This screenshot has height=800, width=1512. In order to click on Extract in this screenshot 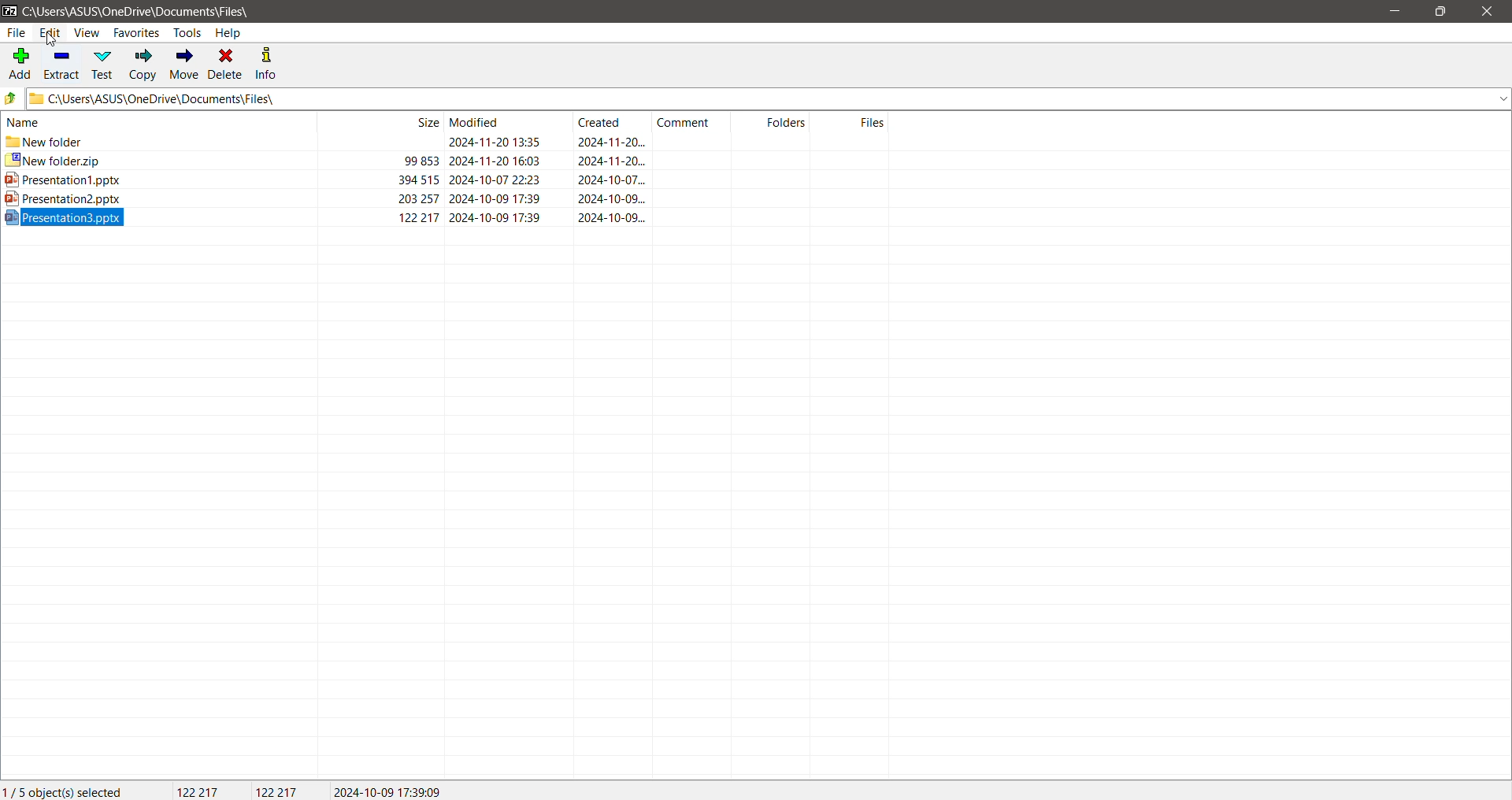, I will do `click(62, 62)`.